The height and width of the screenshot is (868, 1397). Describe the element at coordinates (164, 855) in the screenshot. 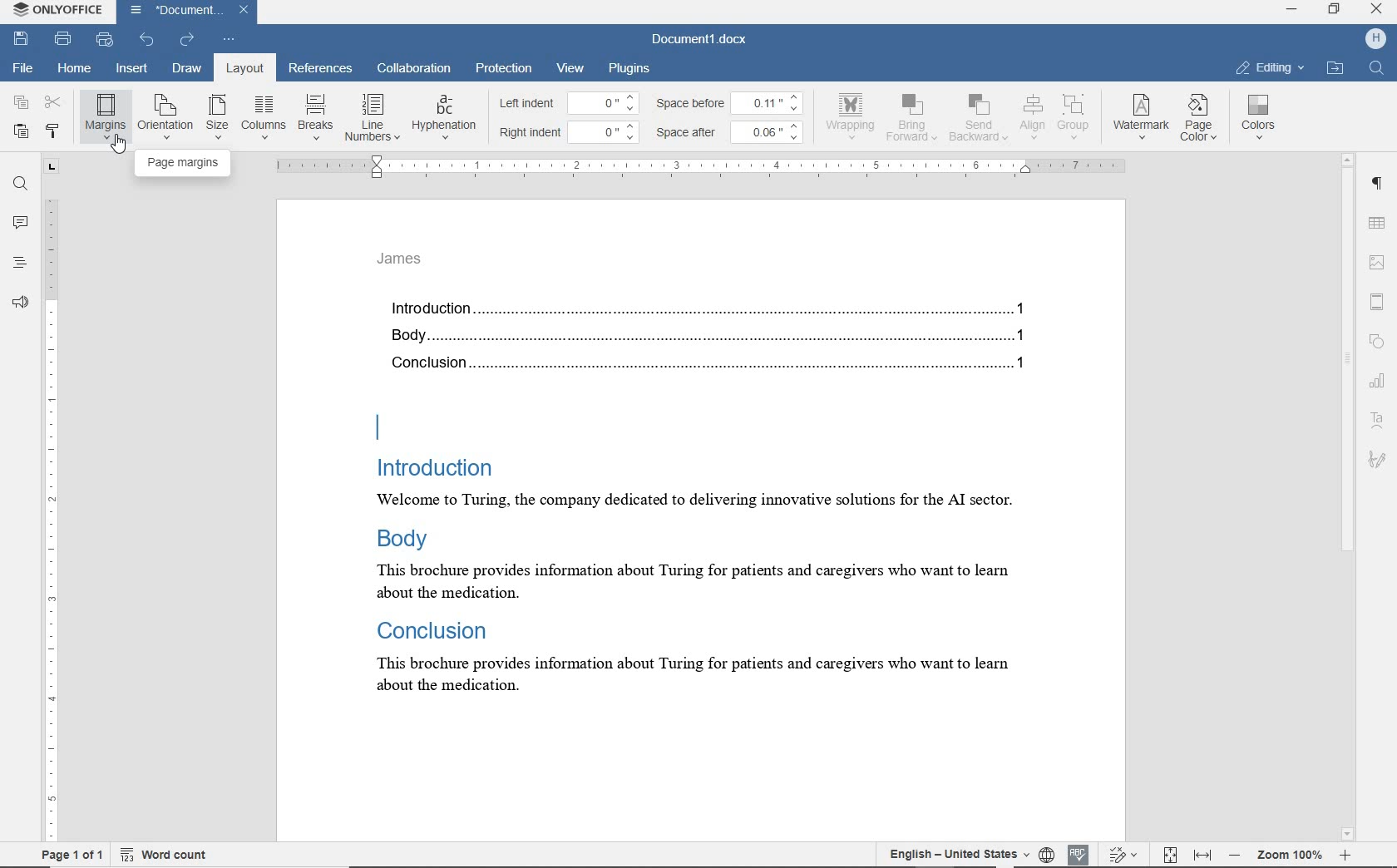

I see `word count` at that location.